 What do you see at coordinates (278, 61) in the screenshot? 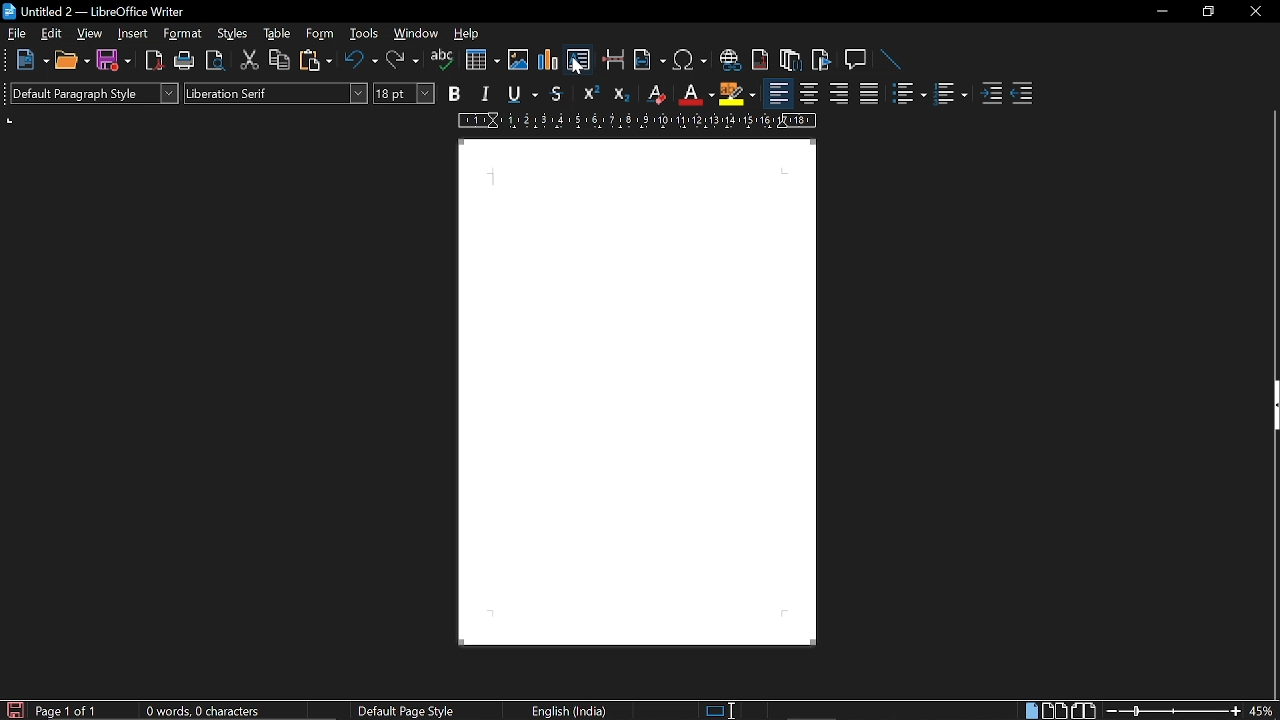
I see `copy` at bounding box center [278, 61].